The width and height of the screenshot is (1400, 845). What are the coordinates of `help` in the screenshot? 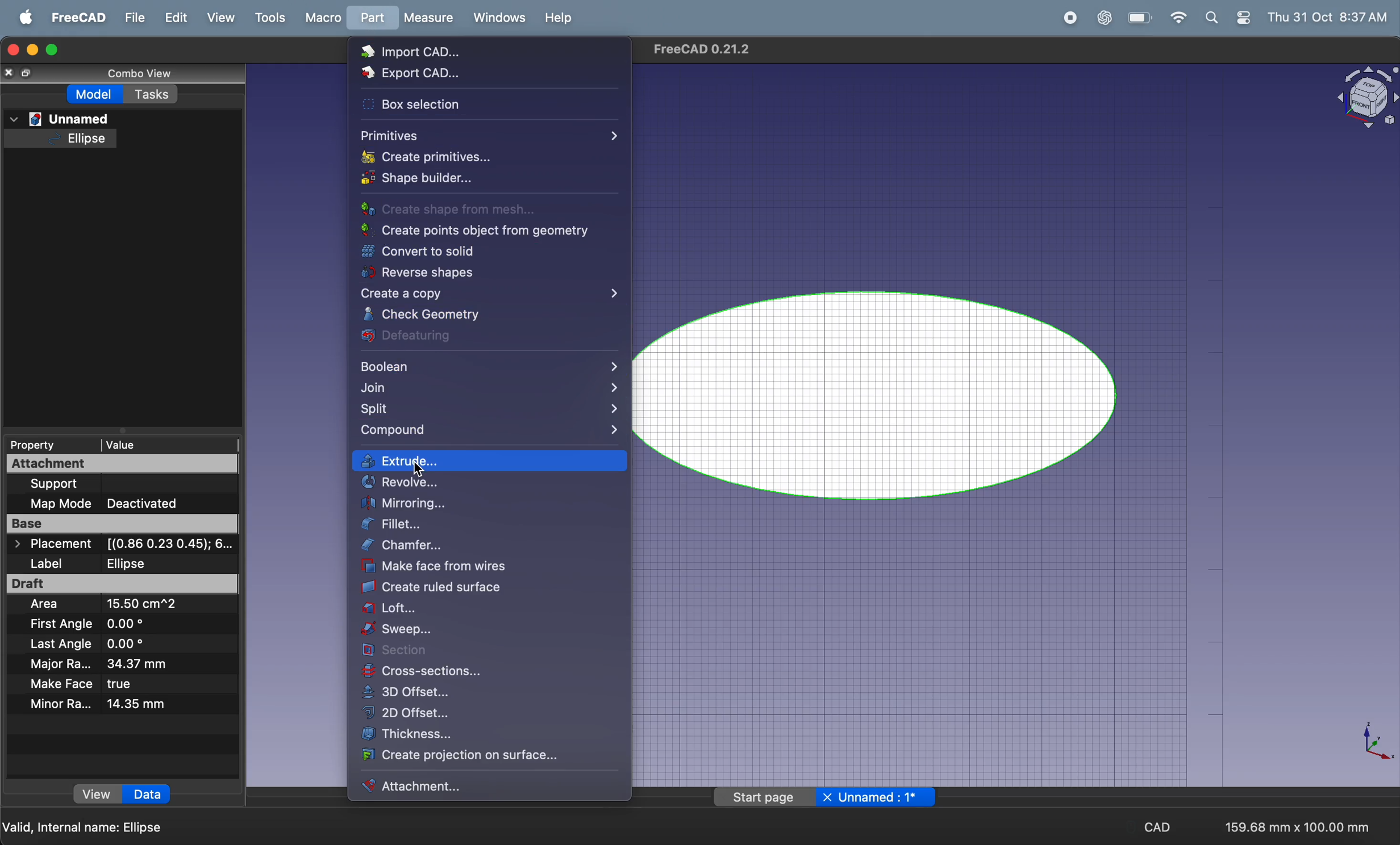 It's located at (561, 17).